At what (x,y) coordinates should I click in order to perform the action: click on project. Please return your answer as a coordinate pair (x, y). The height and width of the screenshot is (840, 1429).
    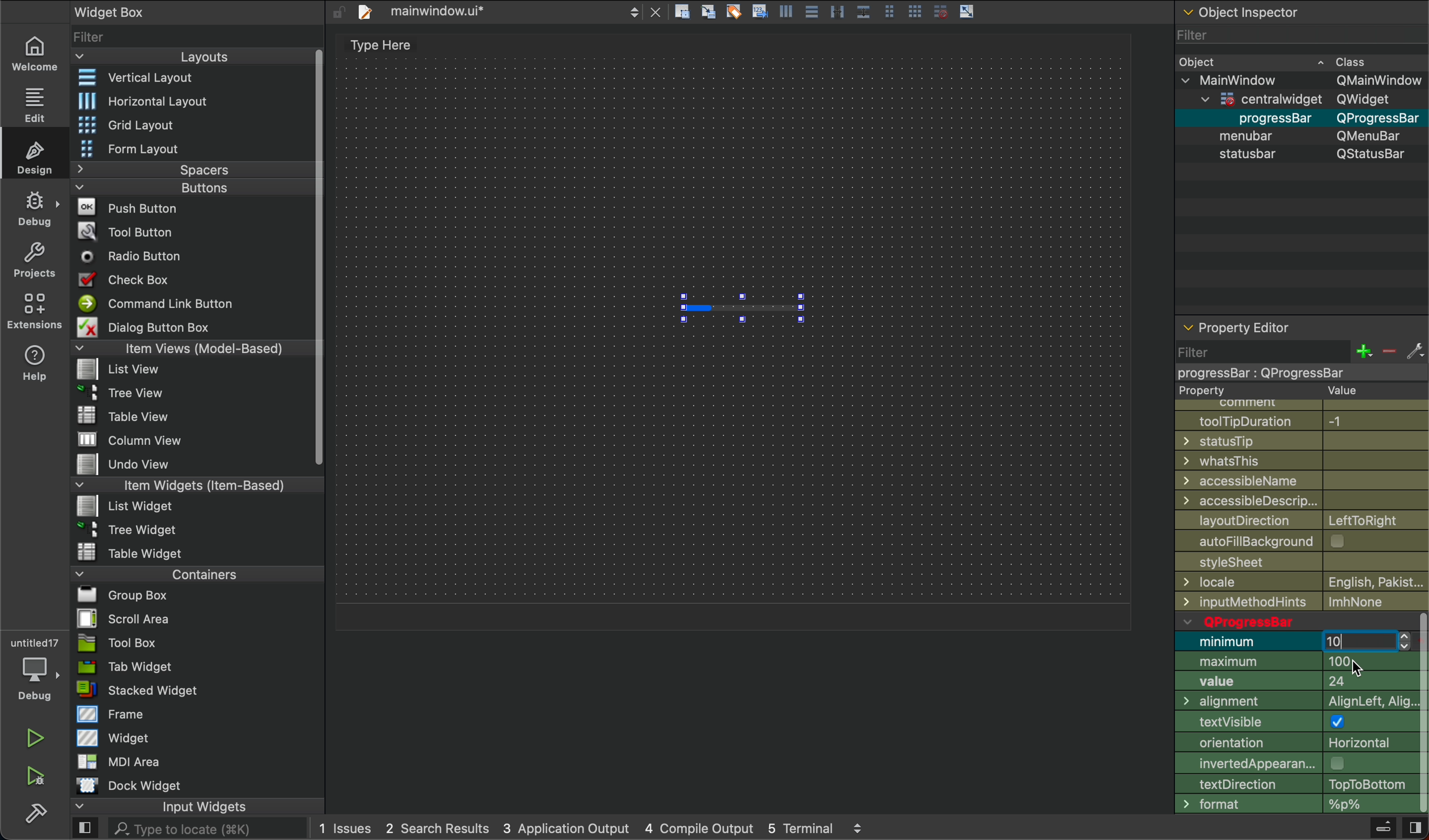
    Looking at the image, I should click on (36, 260).